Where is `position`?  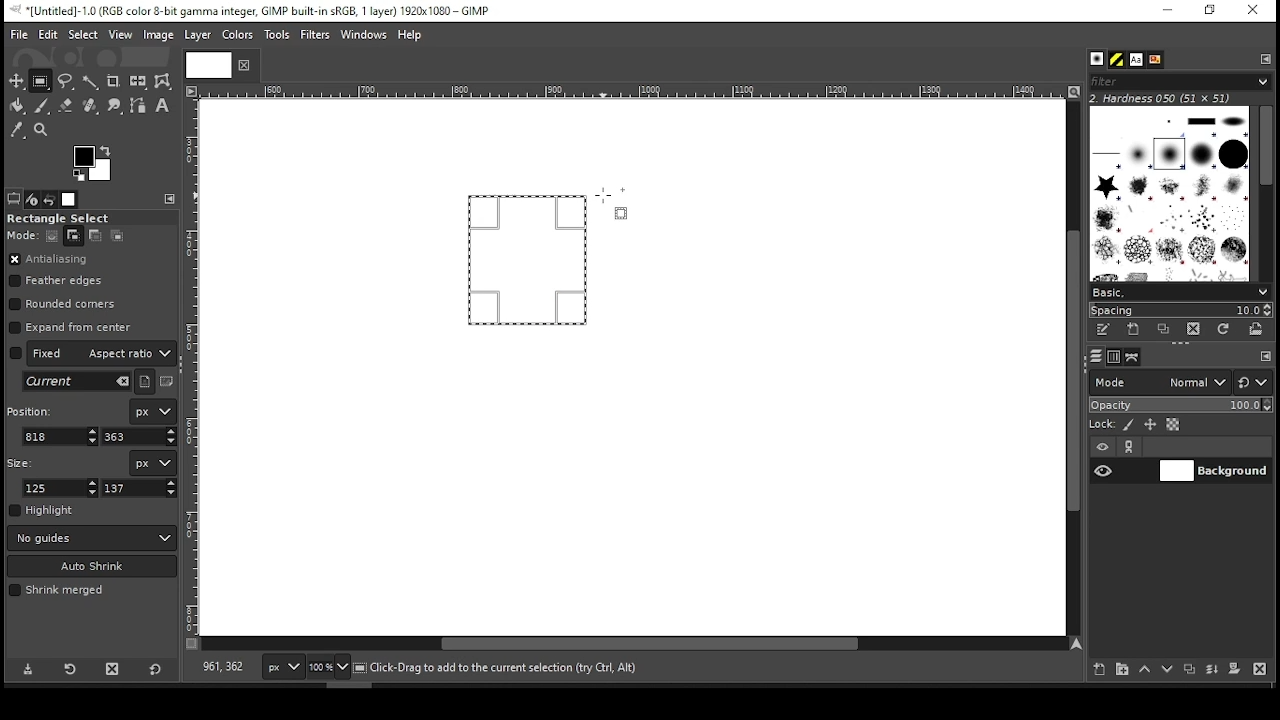
position is located at coordinates (33, 409).